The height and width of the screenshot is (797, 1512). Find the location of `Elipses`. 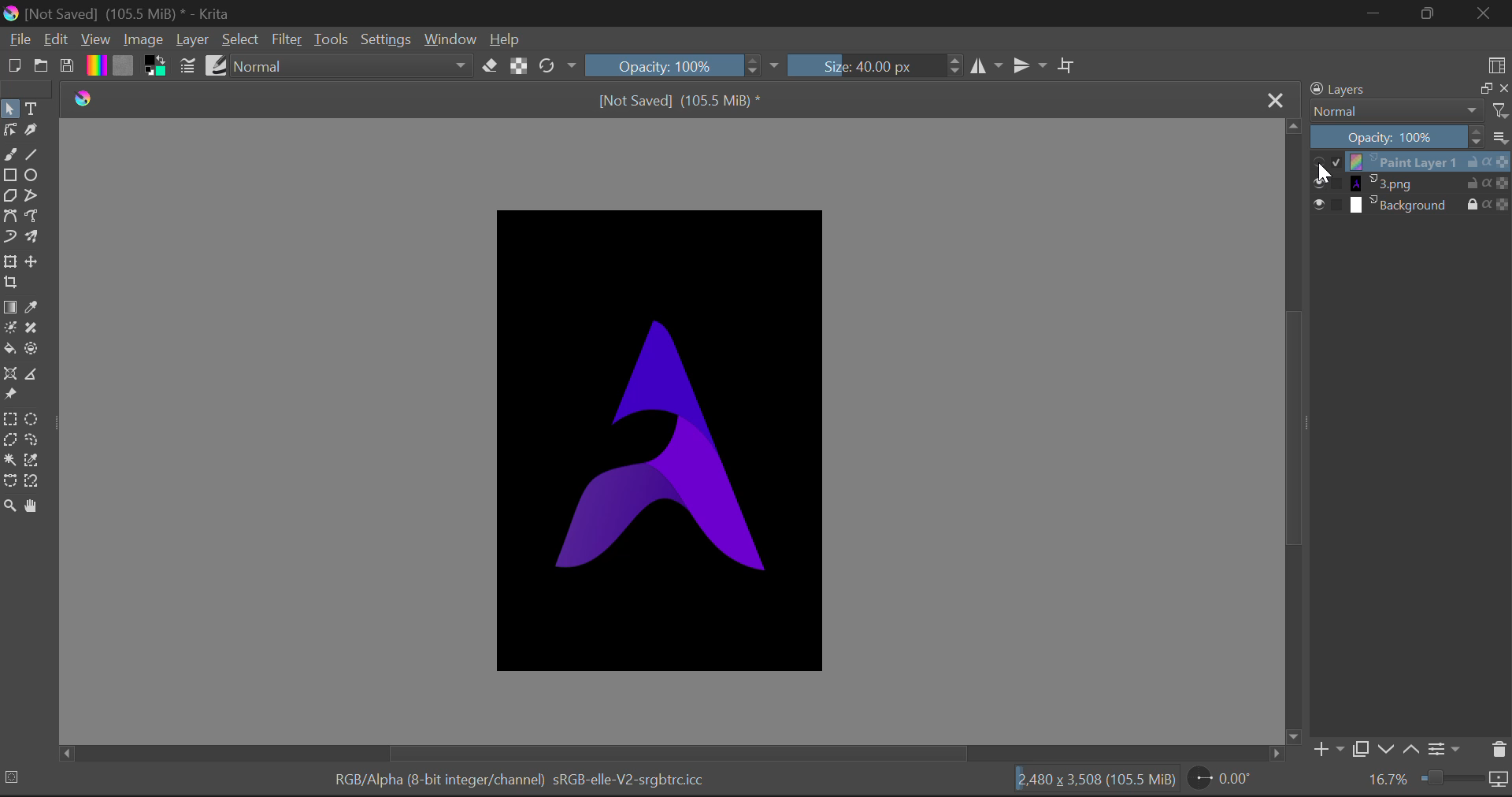

Elipses is located at coordinates (35, 177).